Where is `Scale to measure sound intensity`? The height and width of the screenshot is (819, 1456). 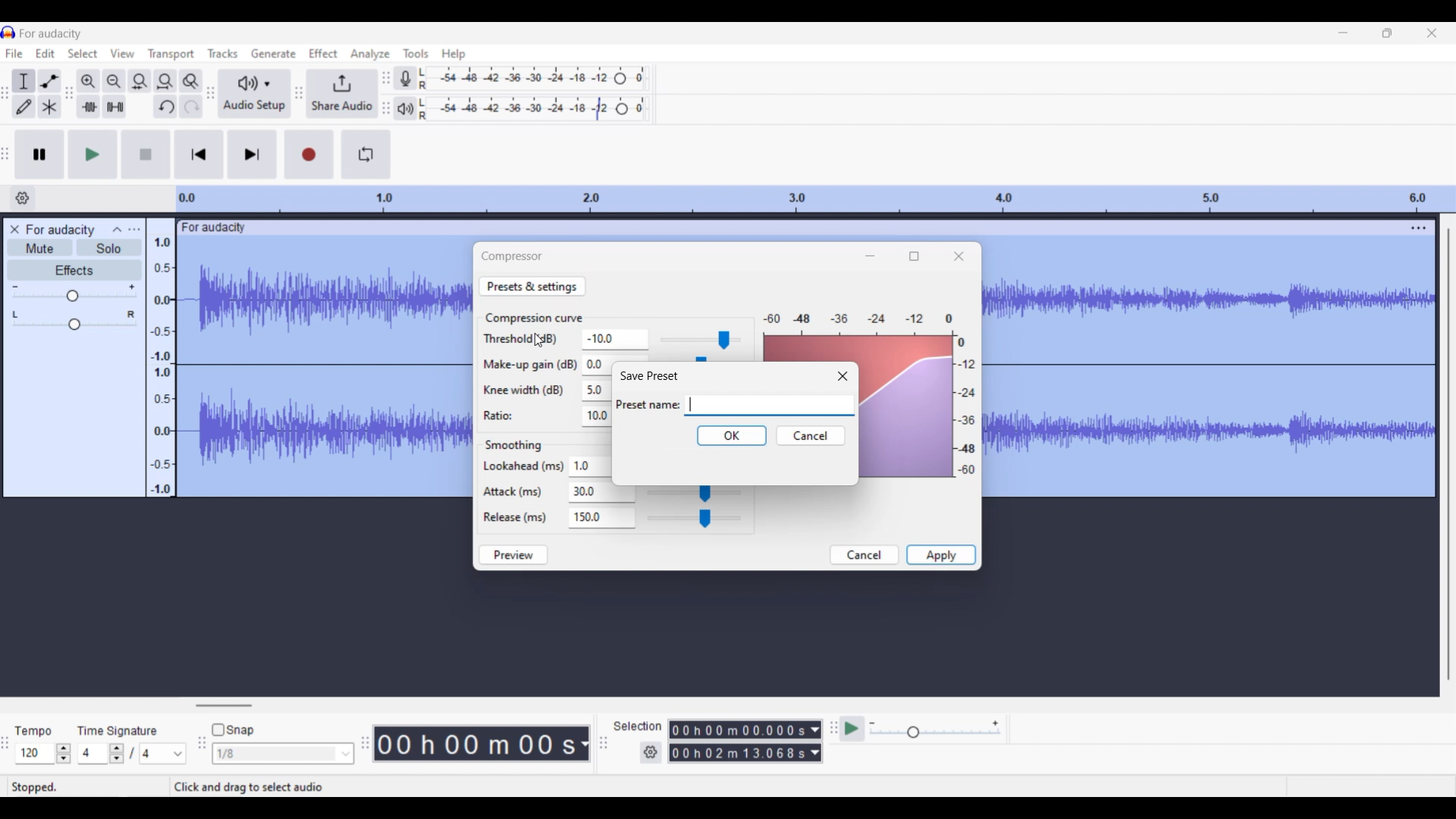 Scale to measure sound intensity is located at coordinates (162, 366).